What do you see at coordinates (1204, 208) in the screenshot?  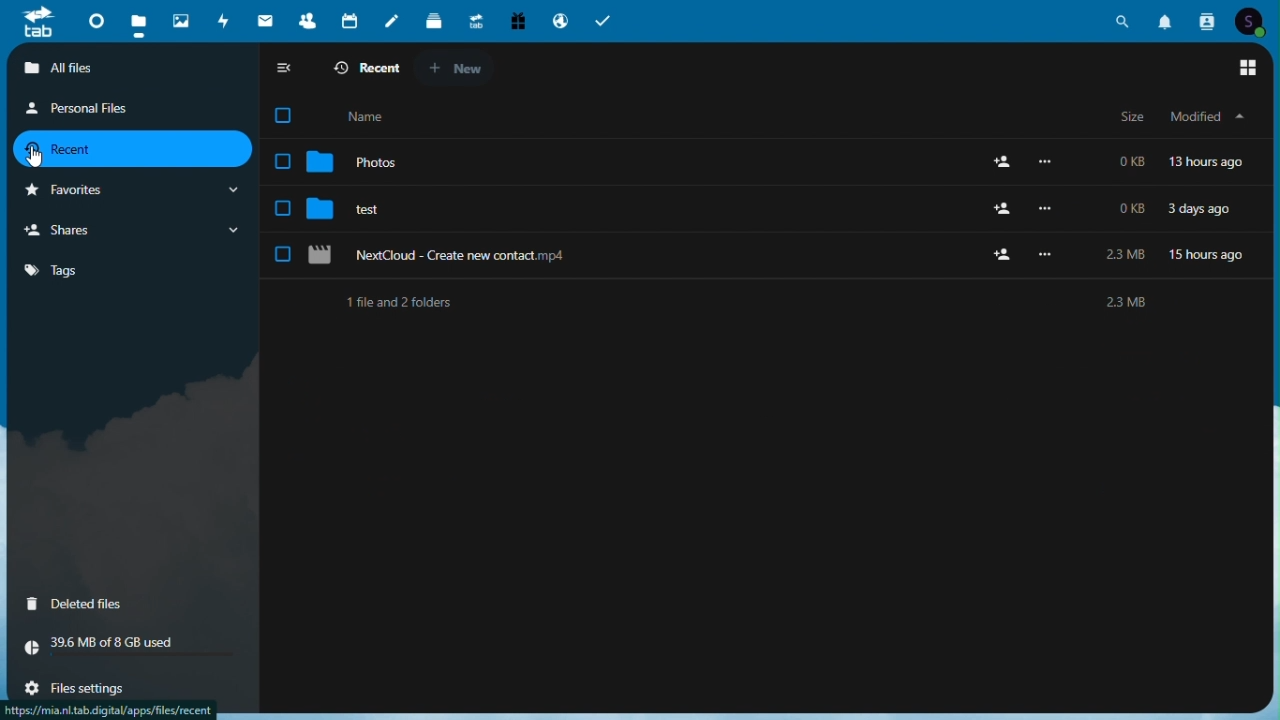 I see `3 days ago` at bounding box center [1204, 208].